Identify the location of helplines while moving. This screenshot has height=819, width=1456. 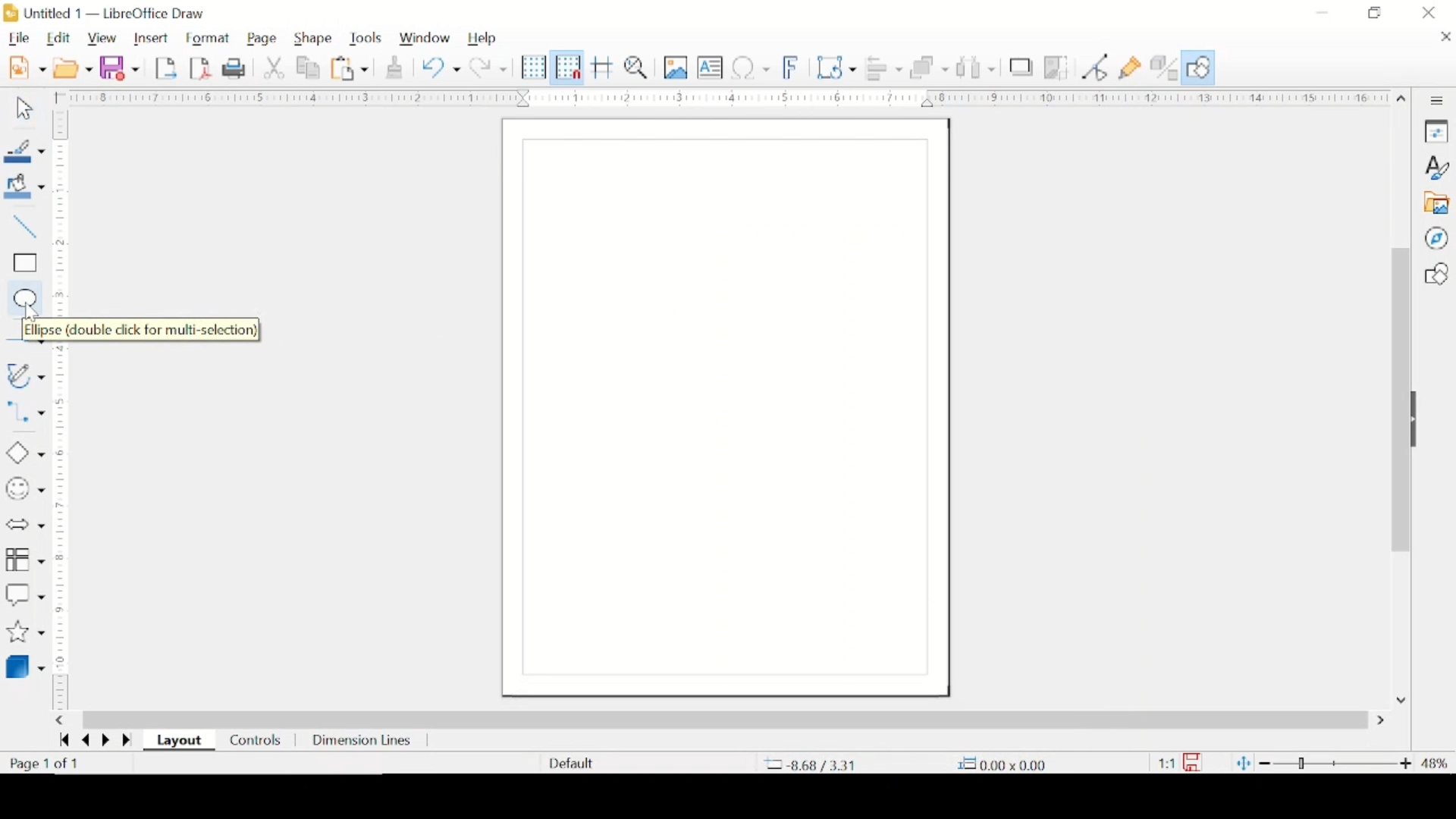
(603, 67).